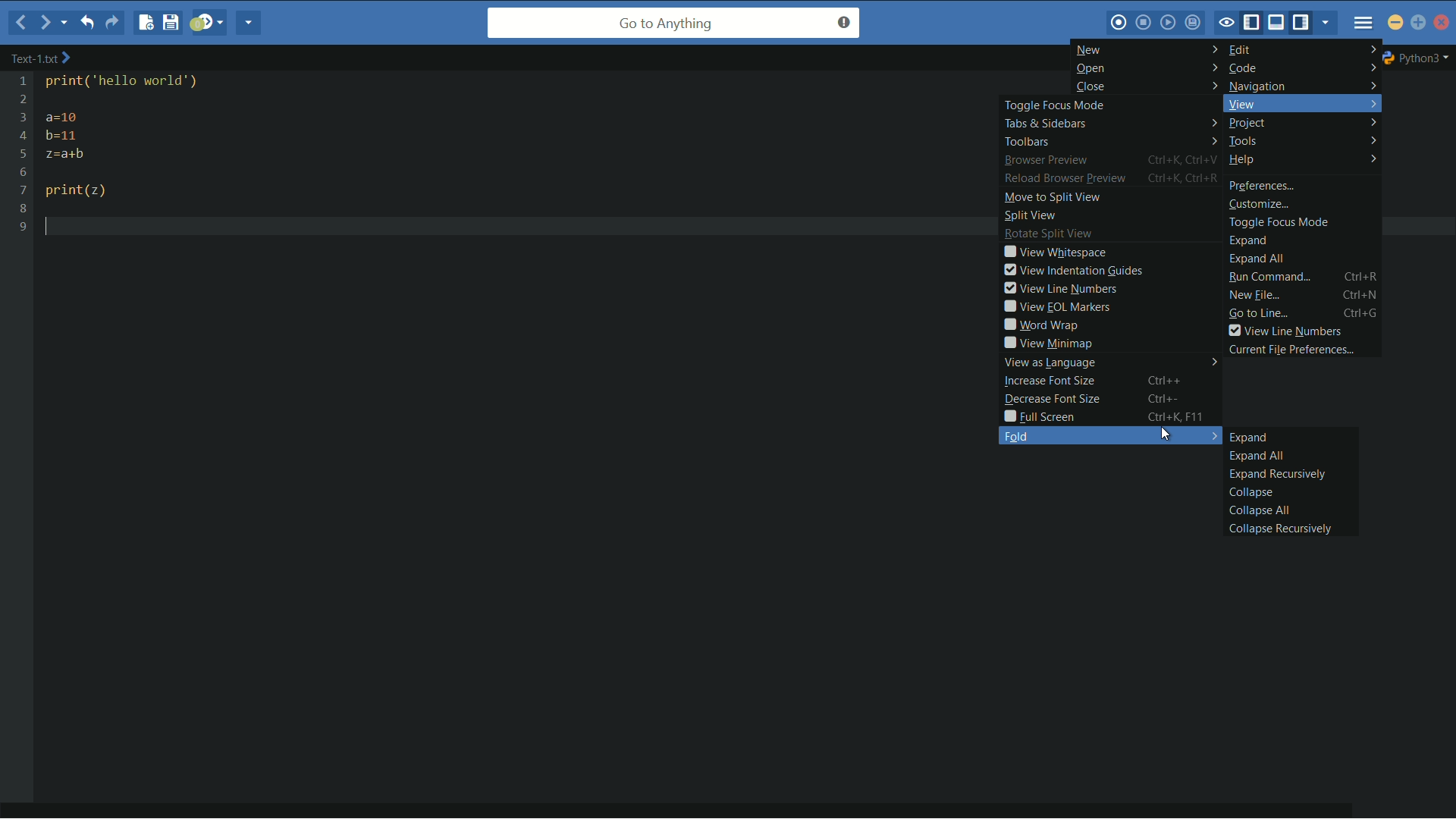 The width and height of the screenshot is (1456, 819). What do you see at coordinates (1279, 24) in the screenshot?
I see `show/hide bottom pane` at bounding box center [1279, 24].